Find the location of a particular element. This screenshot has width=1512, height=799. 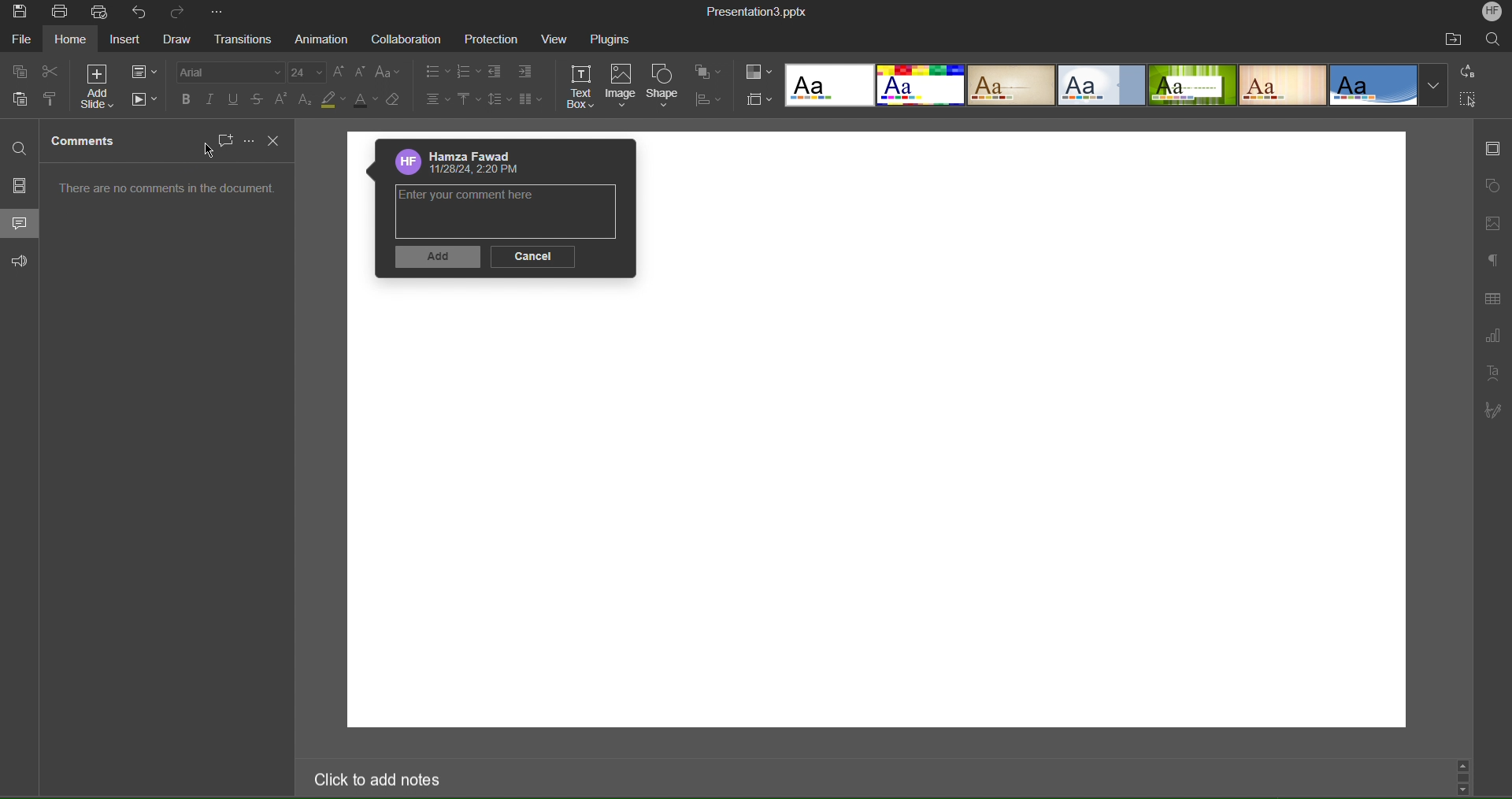

Print is located at coordinates (62, 11).